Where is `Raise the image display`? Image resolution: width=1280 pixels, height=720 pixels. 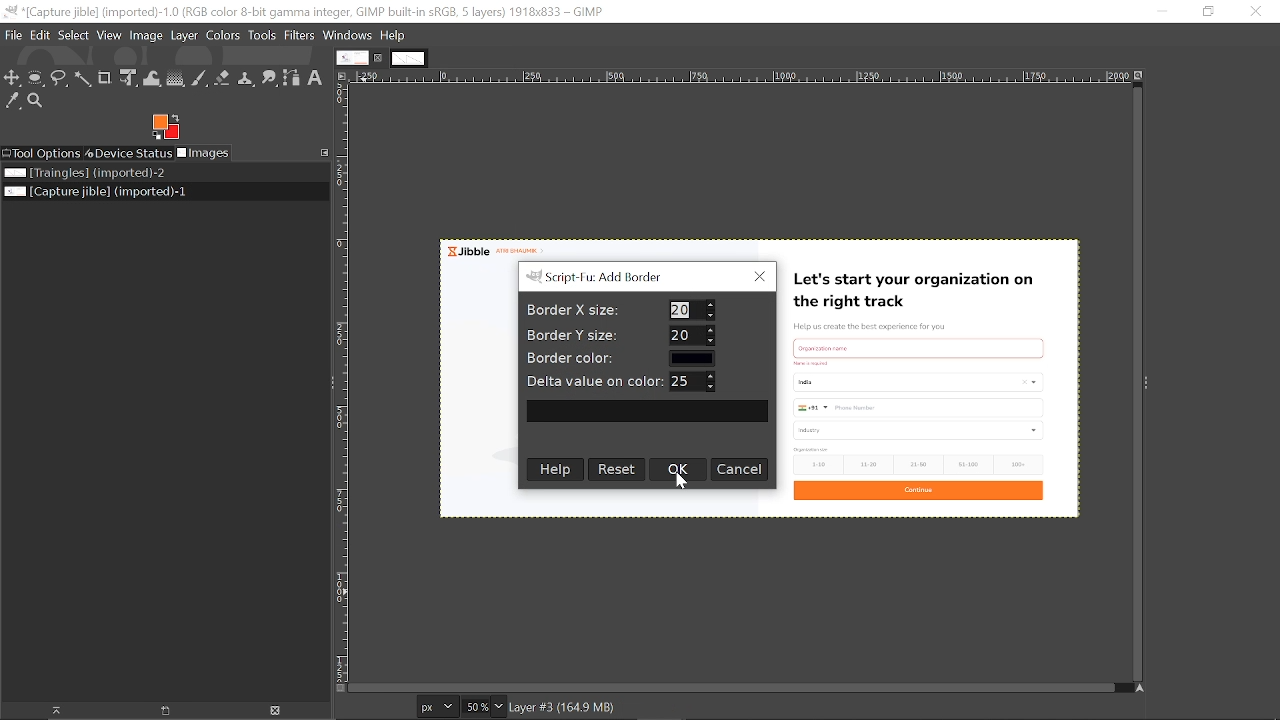 Raise the image display is located at coordinates (166, 711).